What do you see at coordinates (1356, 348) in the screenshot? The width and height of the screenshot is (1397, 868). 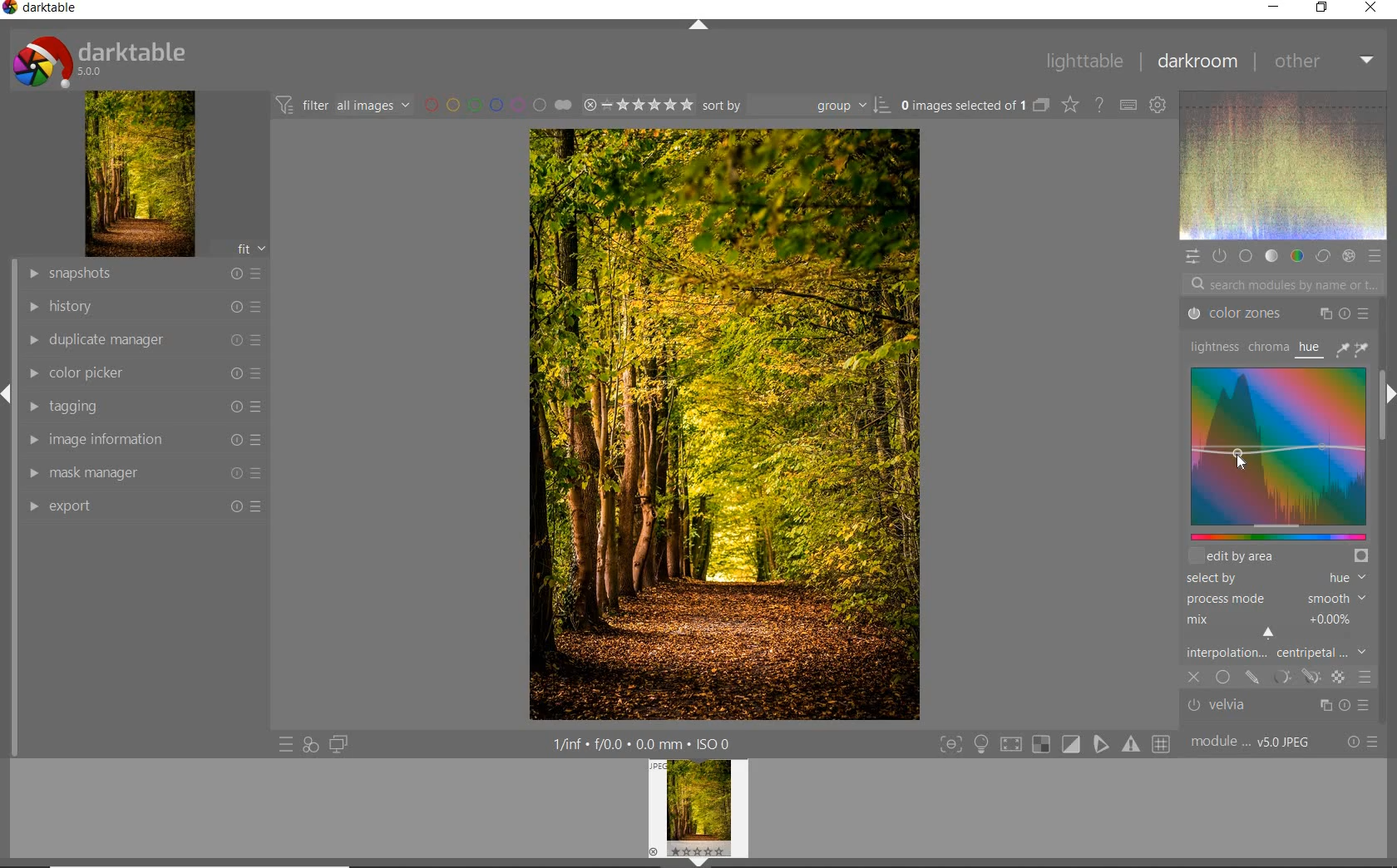 I see `color picker tools` at bounding box center [1356, 348].